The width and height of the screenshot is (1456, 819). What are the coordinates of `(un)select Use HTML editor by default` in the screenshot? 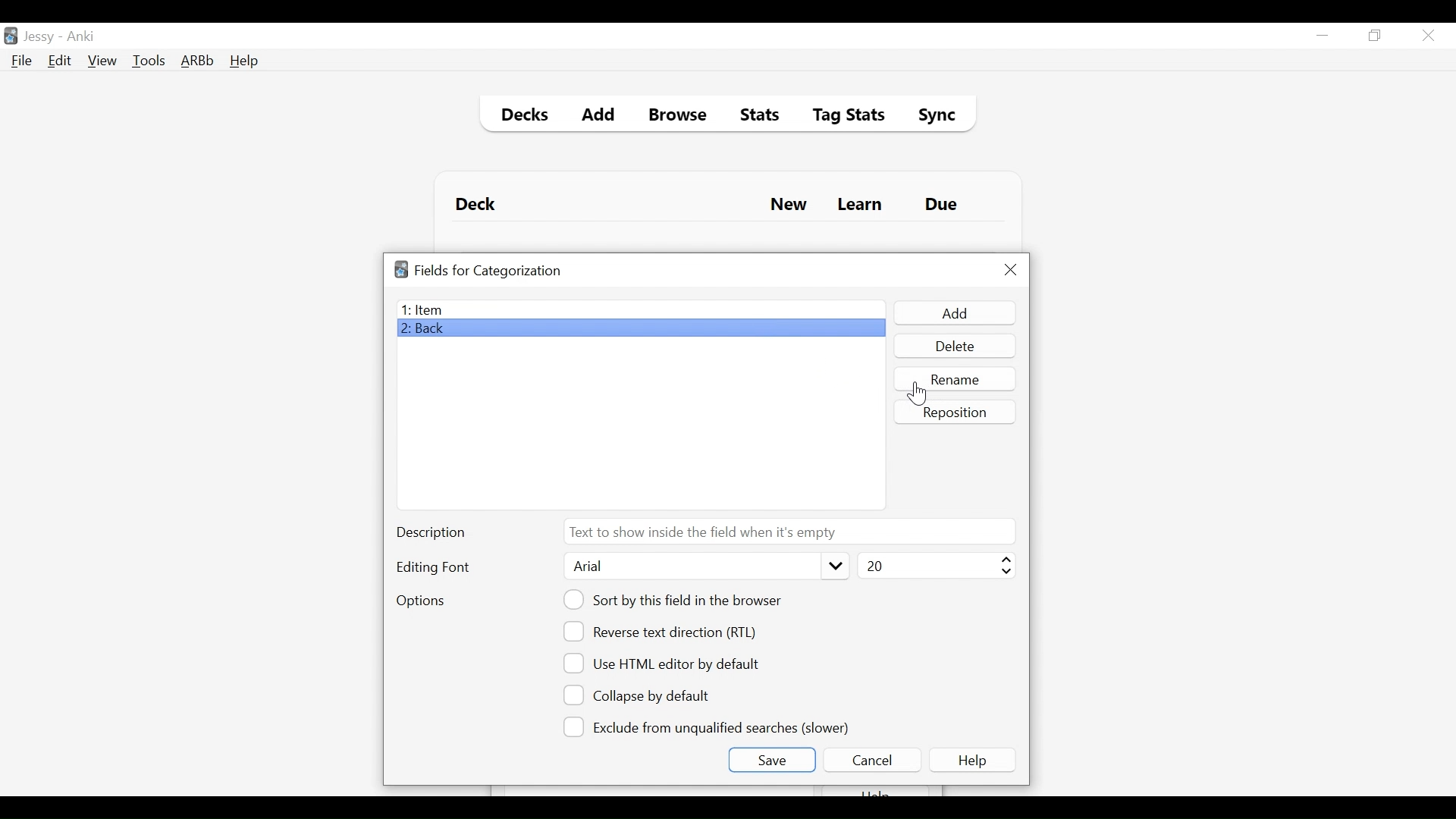 It's located at (666, 663).